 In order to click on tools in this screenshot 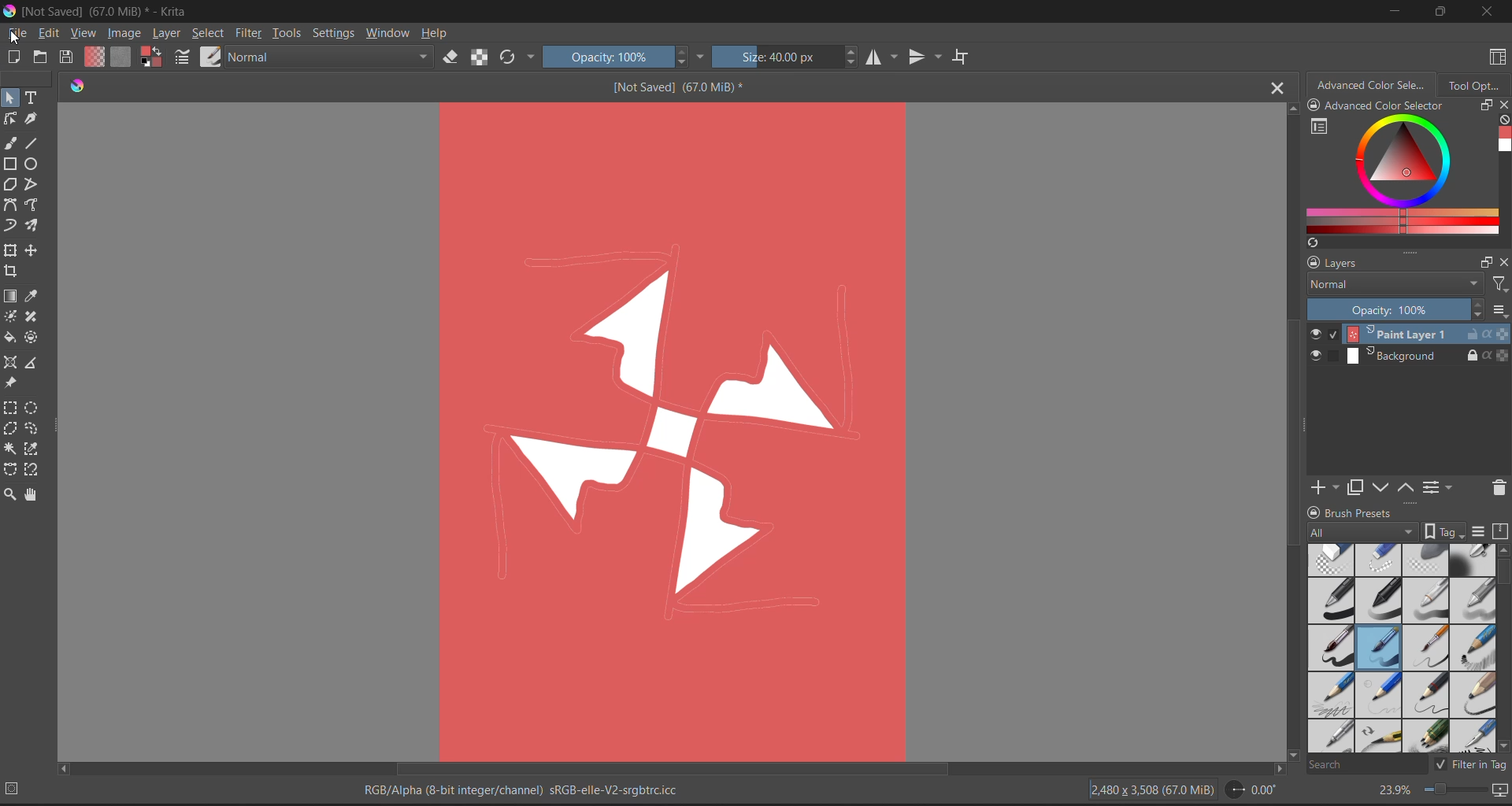, I will do `click(10, 164)`.